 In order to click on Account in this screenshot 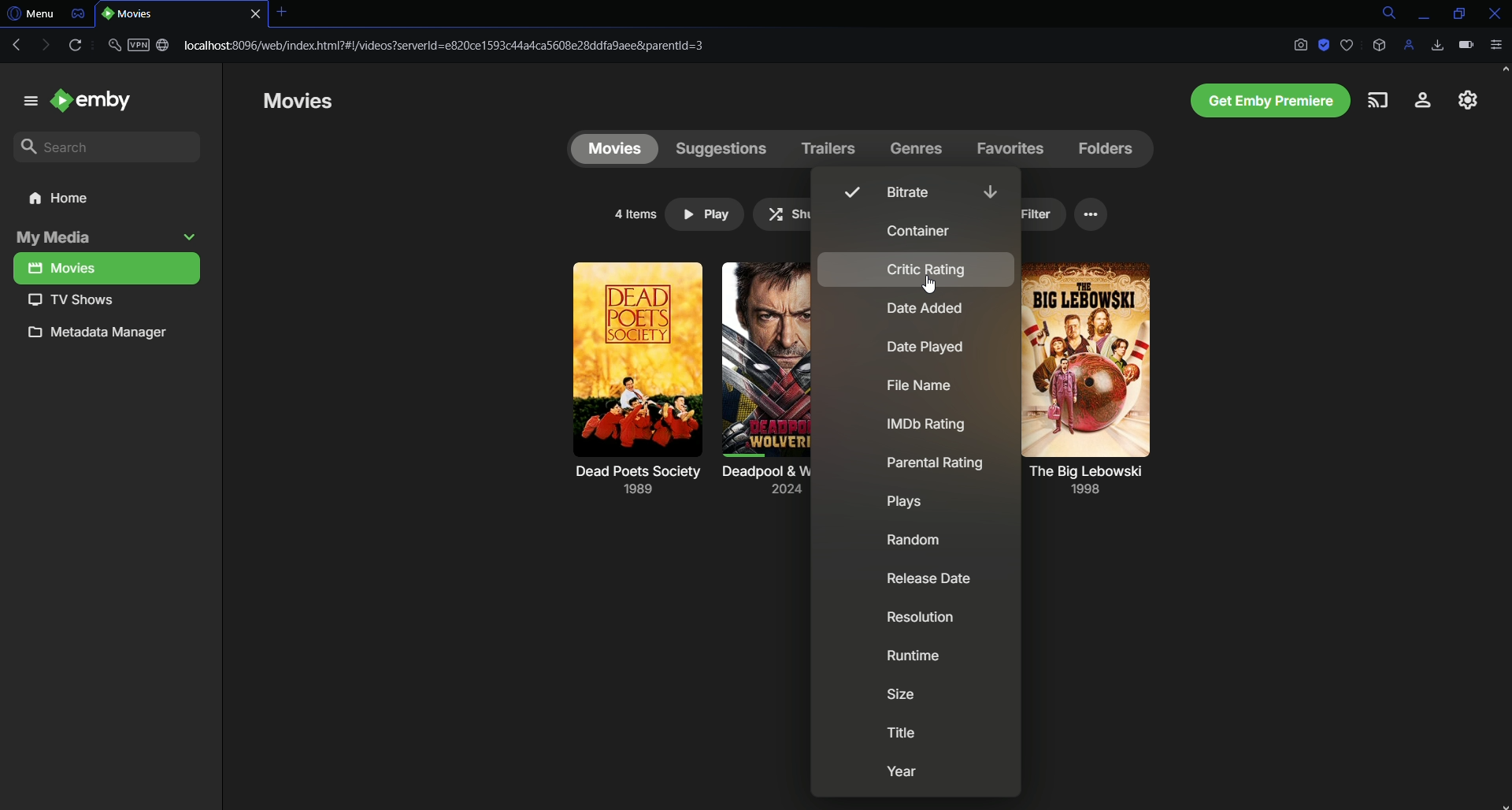, I will do `click(1416, 102)`.